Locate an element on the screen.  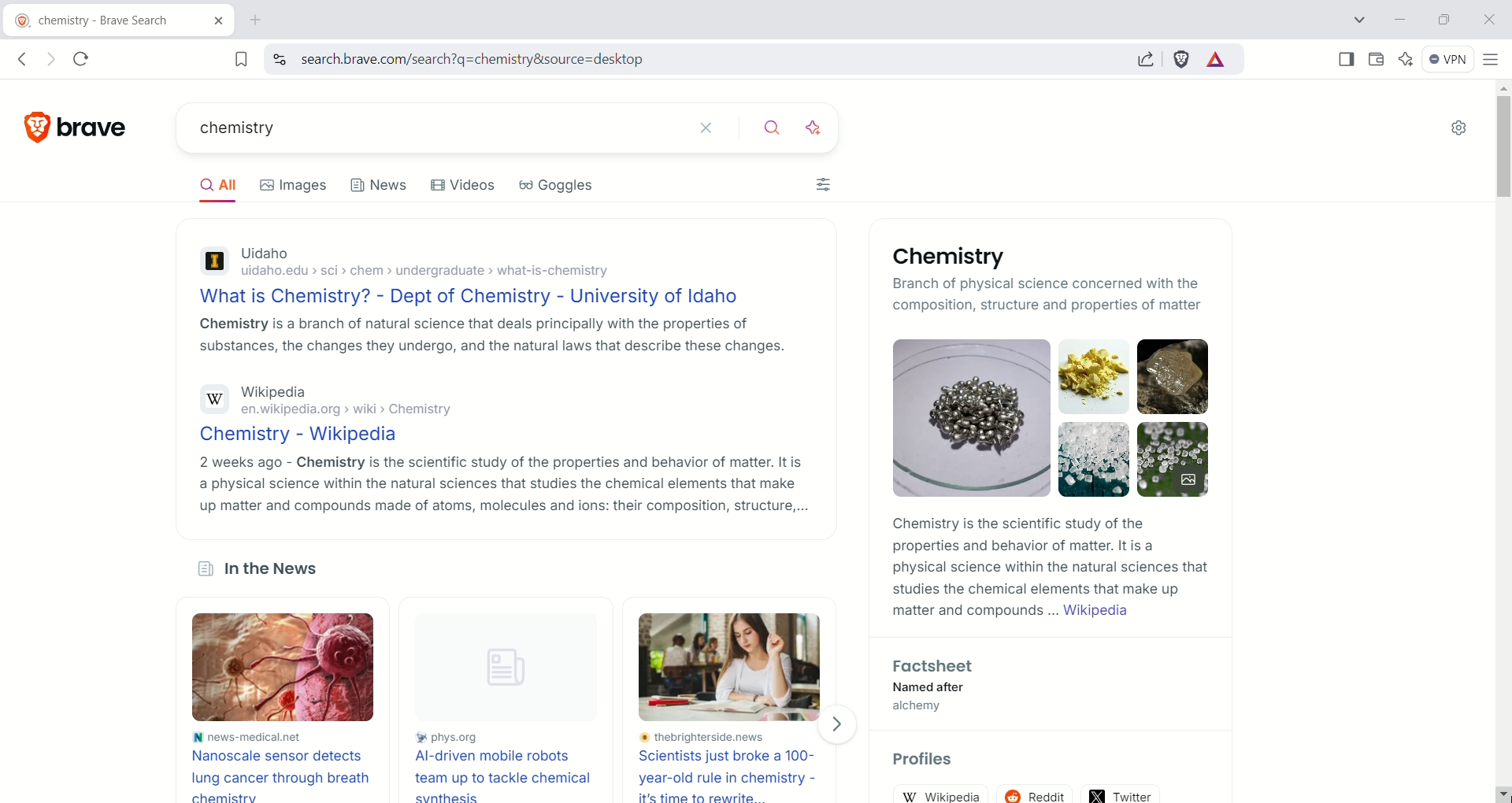
Wikipediaen.wikipedia.org > wiki > ChemistryChemistry - Wikipedia is located at coordinates (350, 413).